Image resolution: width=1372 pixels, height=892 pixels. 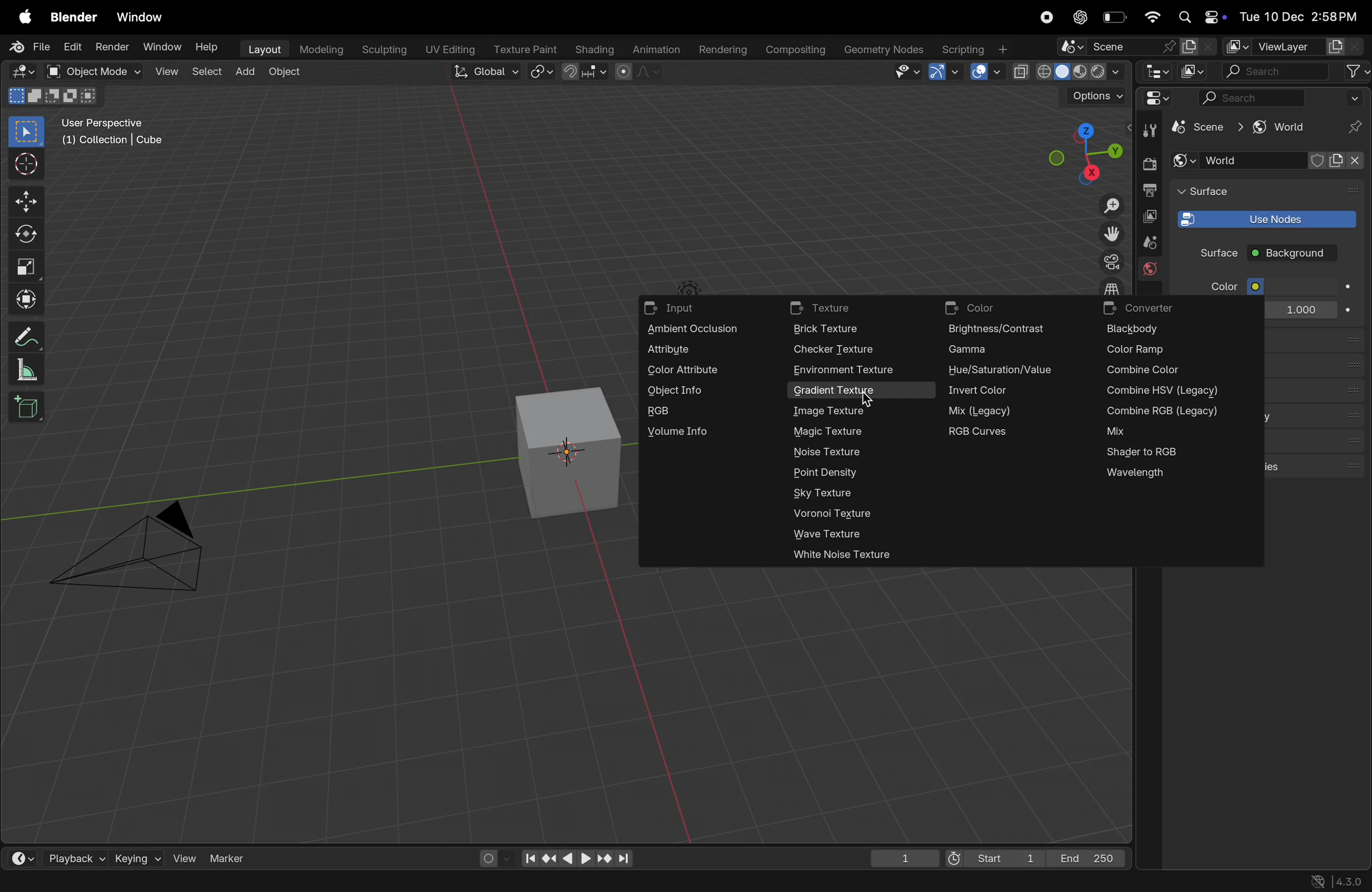 I want to click on balckbody, so click(x=1146, y=330).